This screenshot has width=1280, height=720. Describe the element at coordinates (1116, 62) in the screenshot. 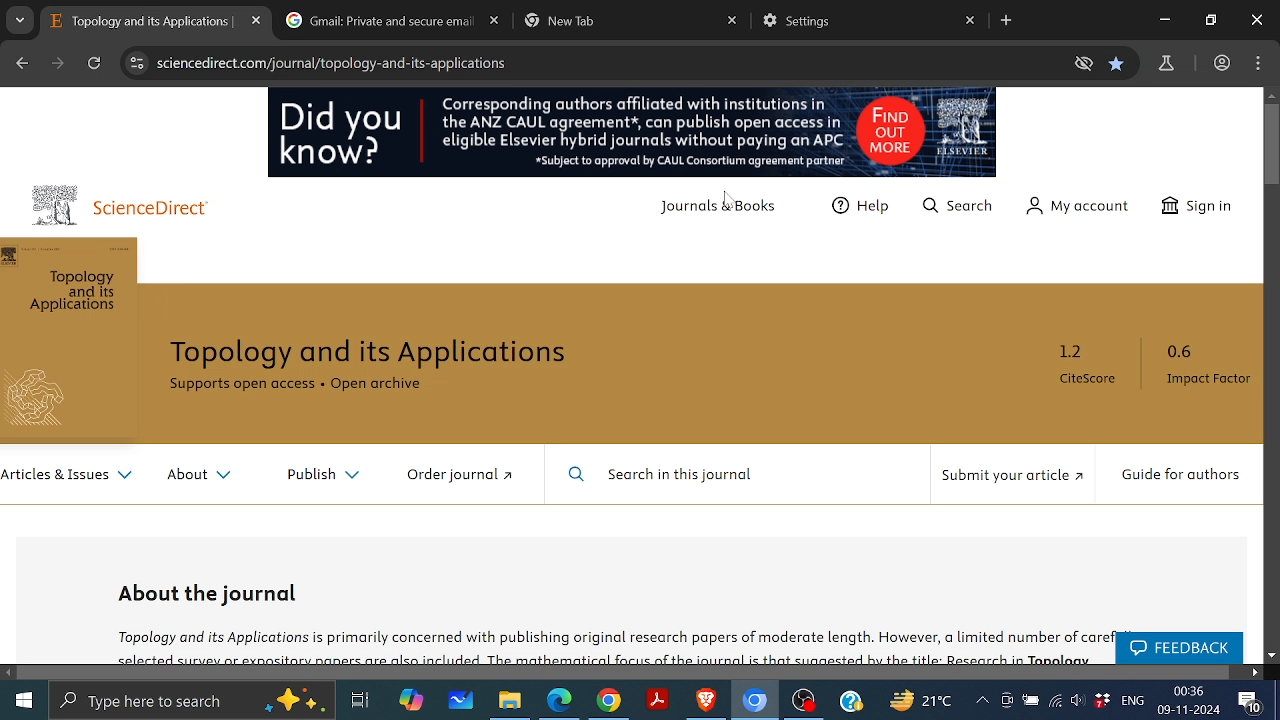

I see `Add to bookmarks` at that location.